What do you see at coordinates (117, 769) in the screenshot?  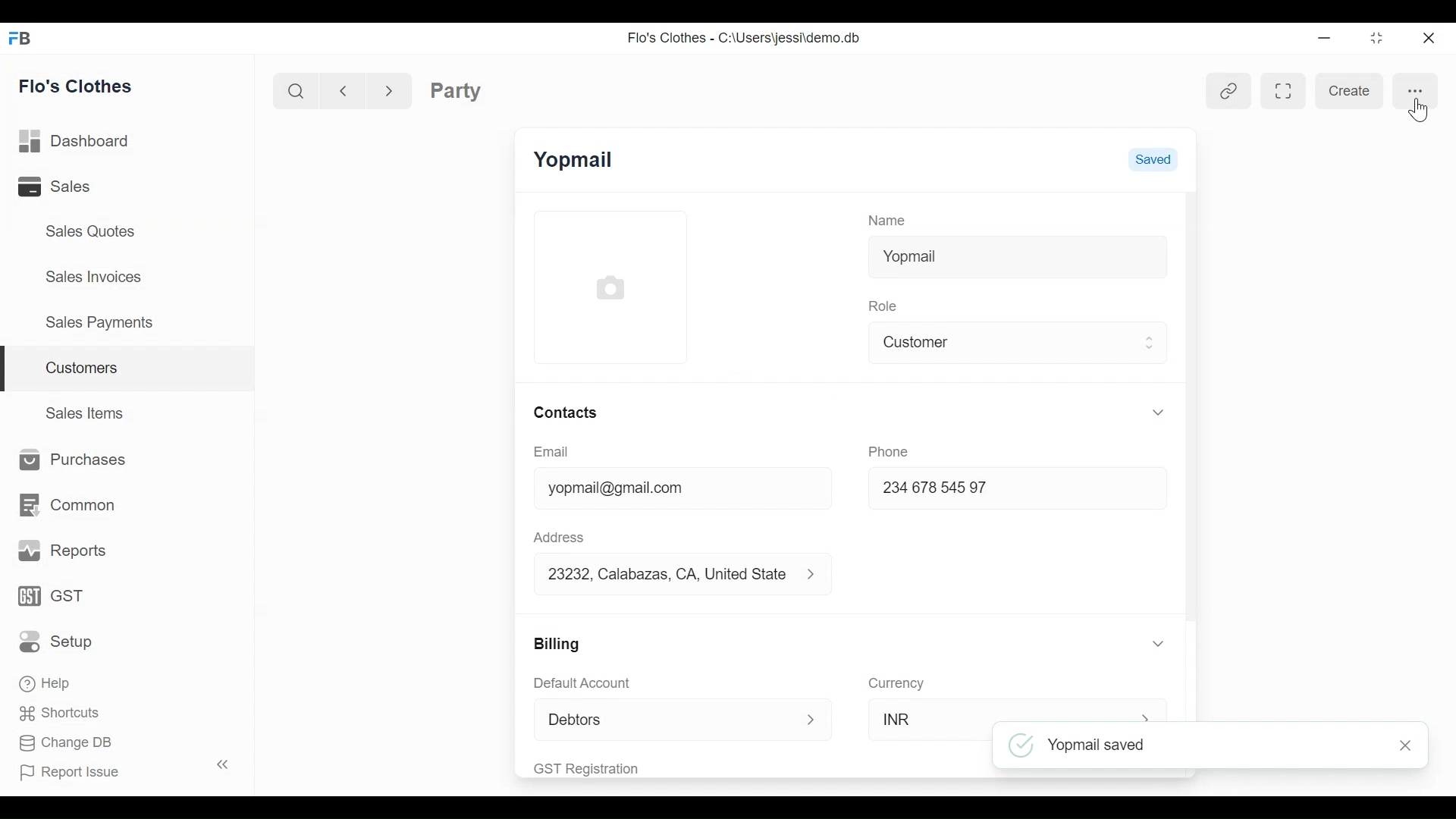 I see `Report Issue` at bounding box center [117, 769].